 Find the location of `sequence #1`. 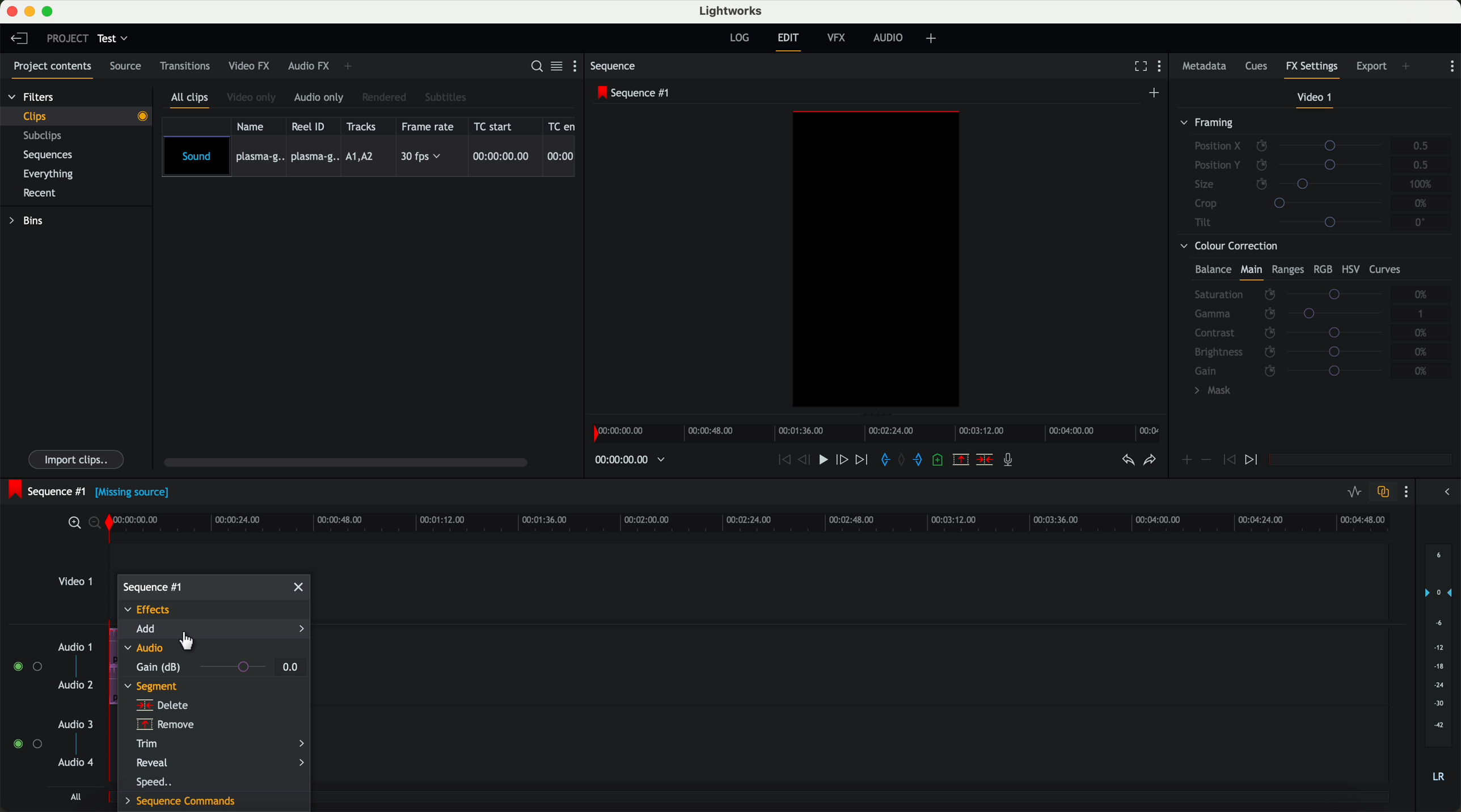

sequence #1 is located at coordinates (153, 586).